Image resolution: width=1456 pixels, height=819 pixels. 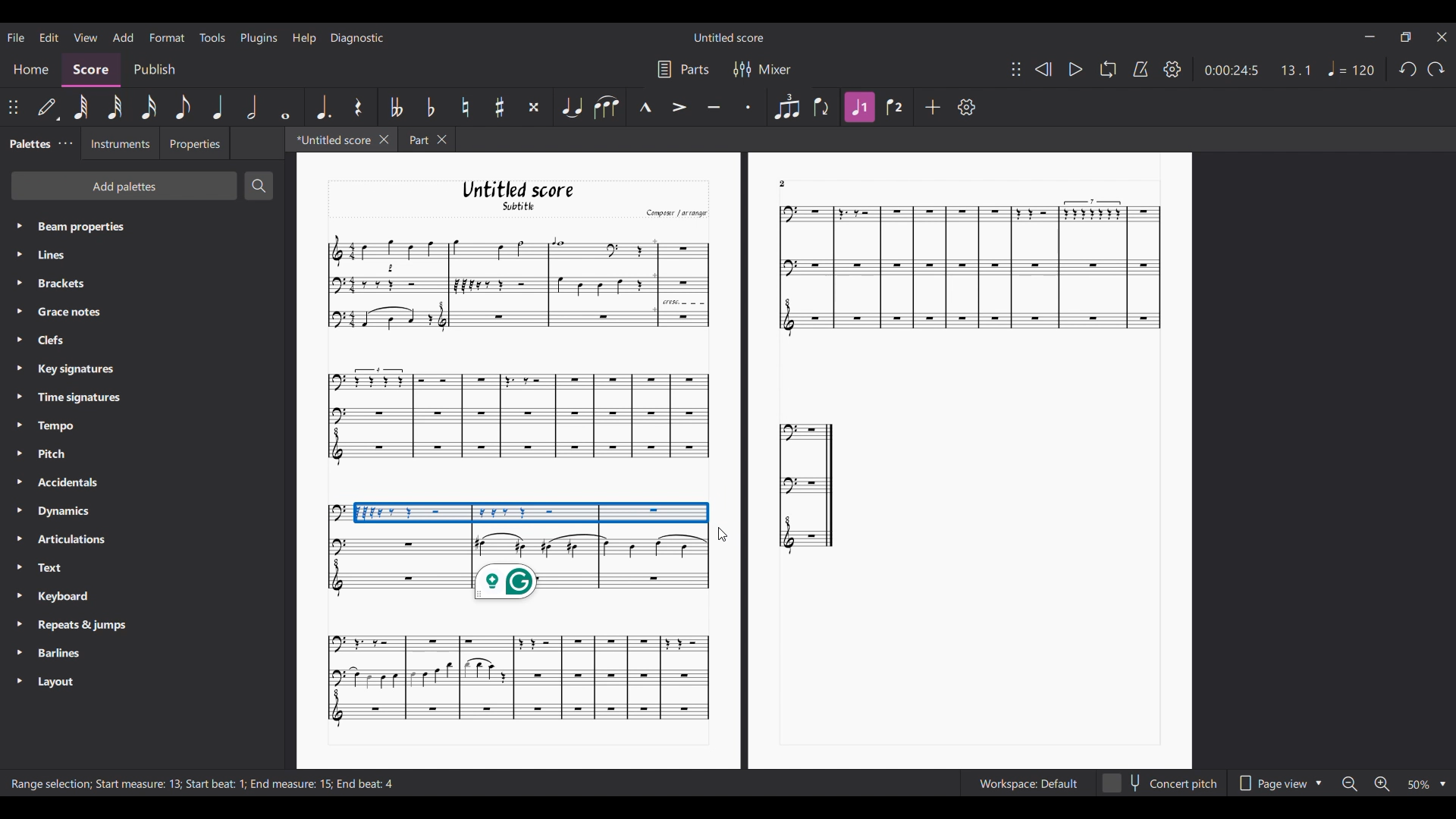 I want to click on Default, so click(x=48, y=110).